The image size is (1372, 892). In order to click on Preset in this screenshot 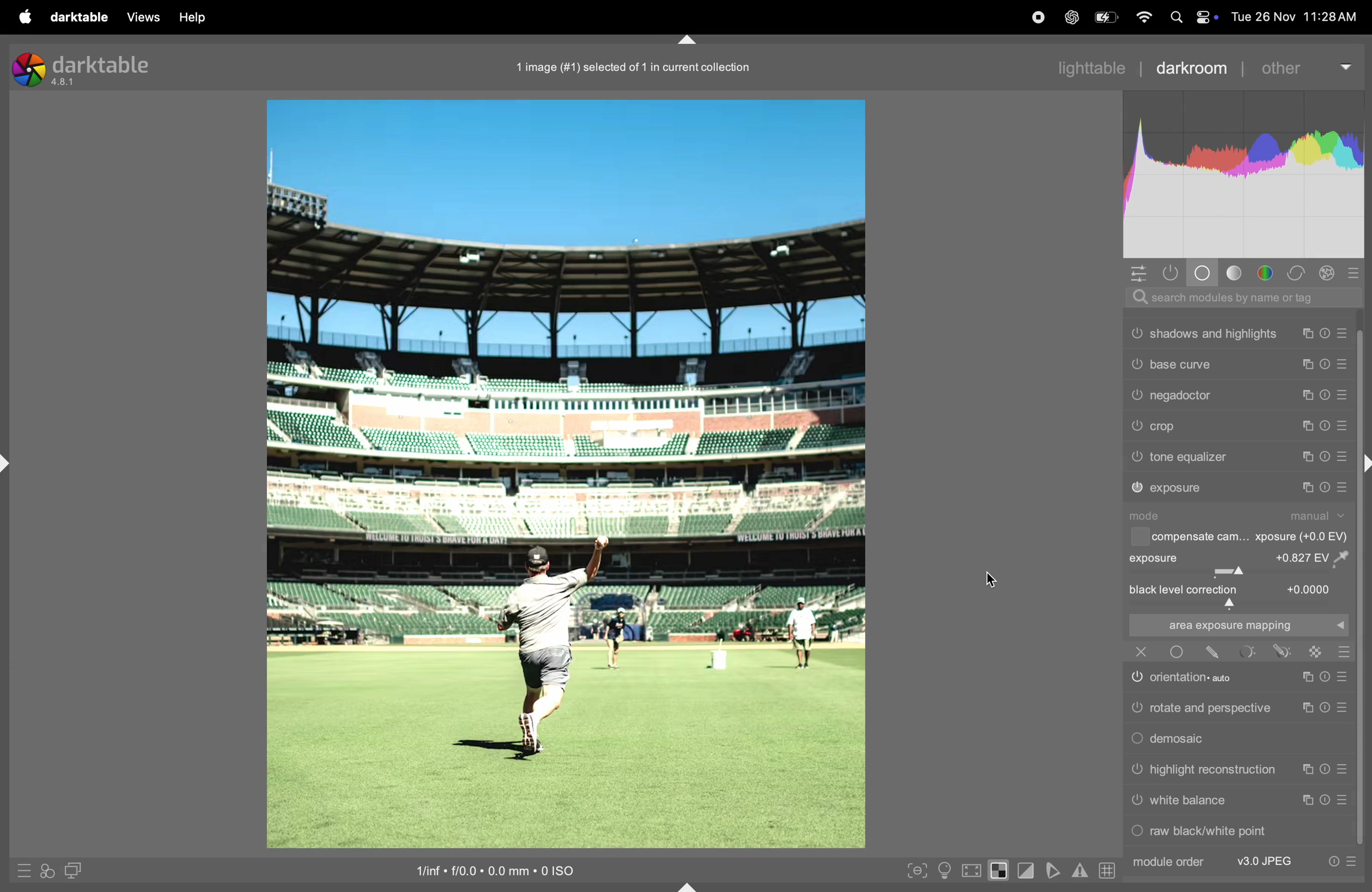, I will do `click(1345, 800)`.